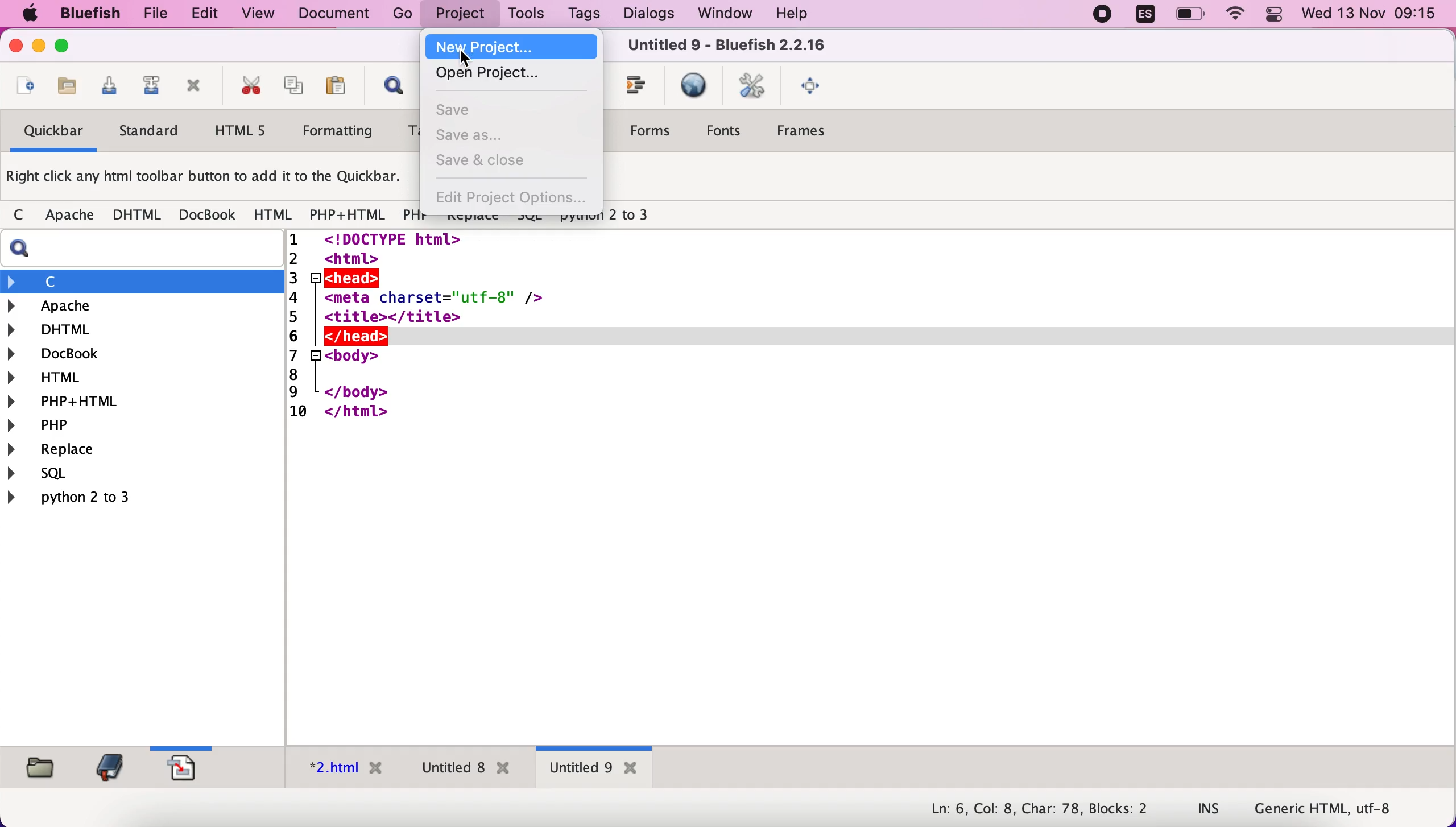  I want to click on php+html, so click(141, 400).